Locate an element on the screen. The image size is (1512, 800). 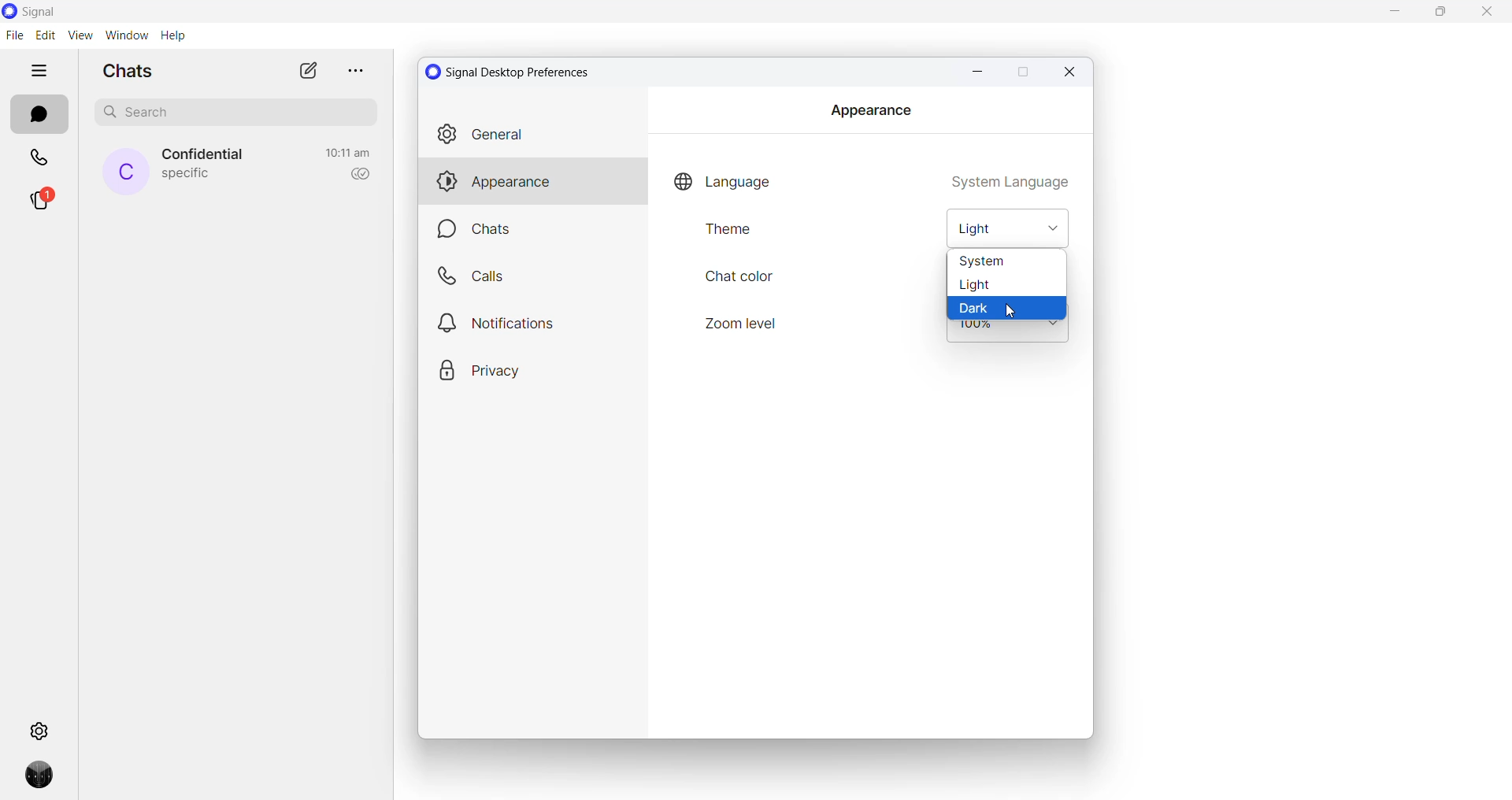
minimize is located at coordinates (975, 72).